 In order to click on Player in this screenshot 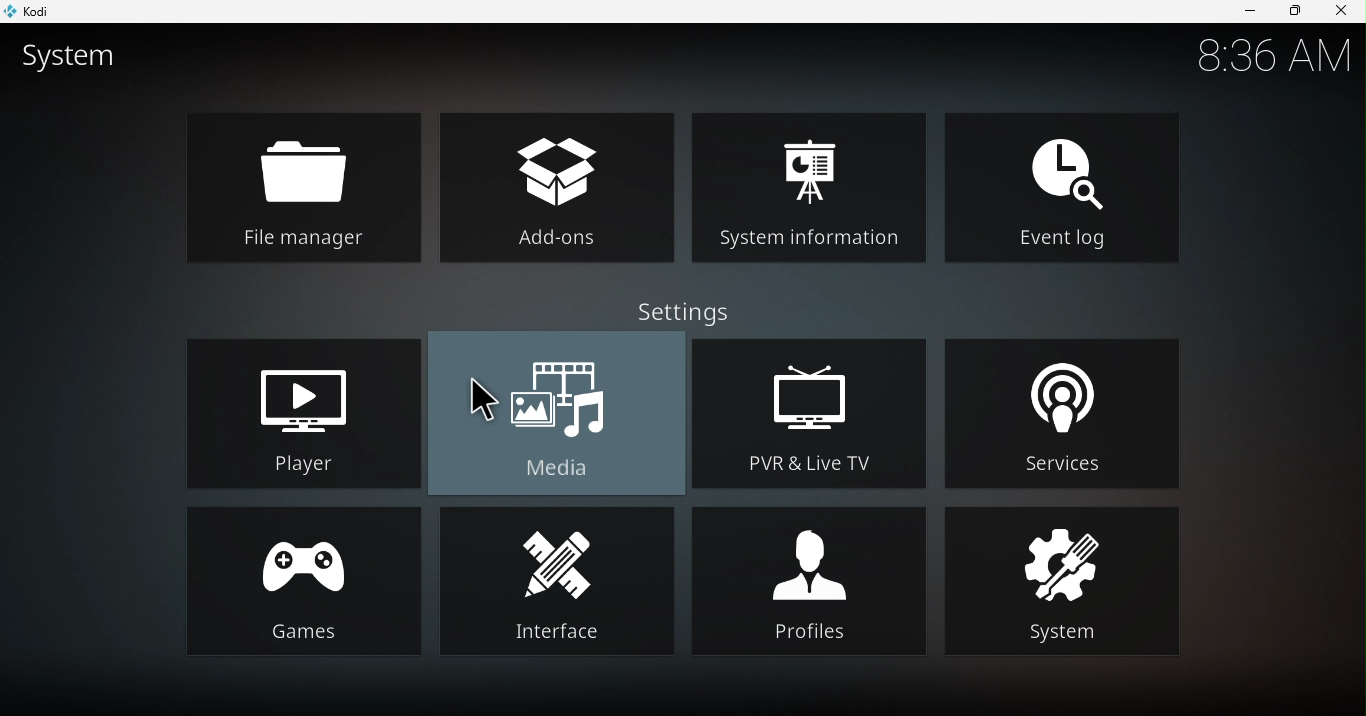, I will do `click(298, 410)`.